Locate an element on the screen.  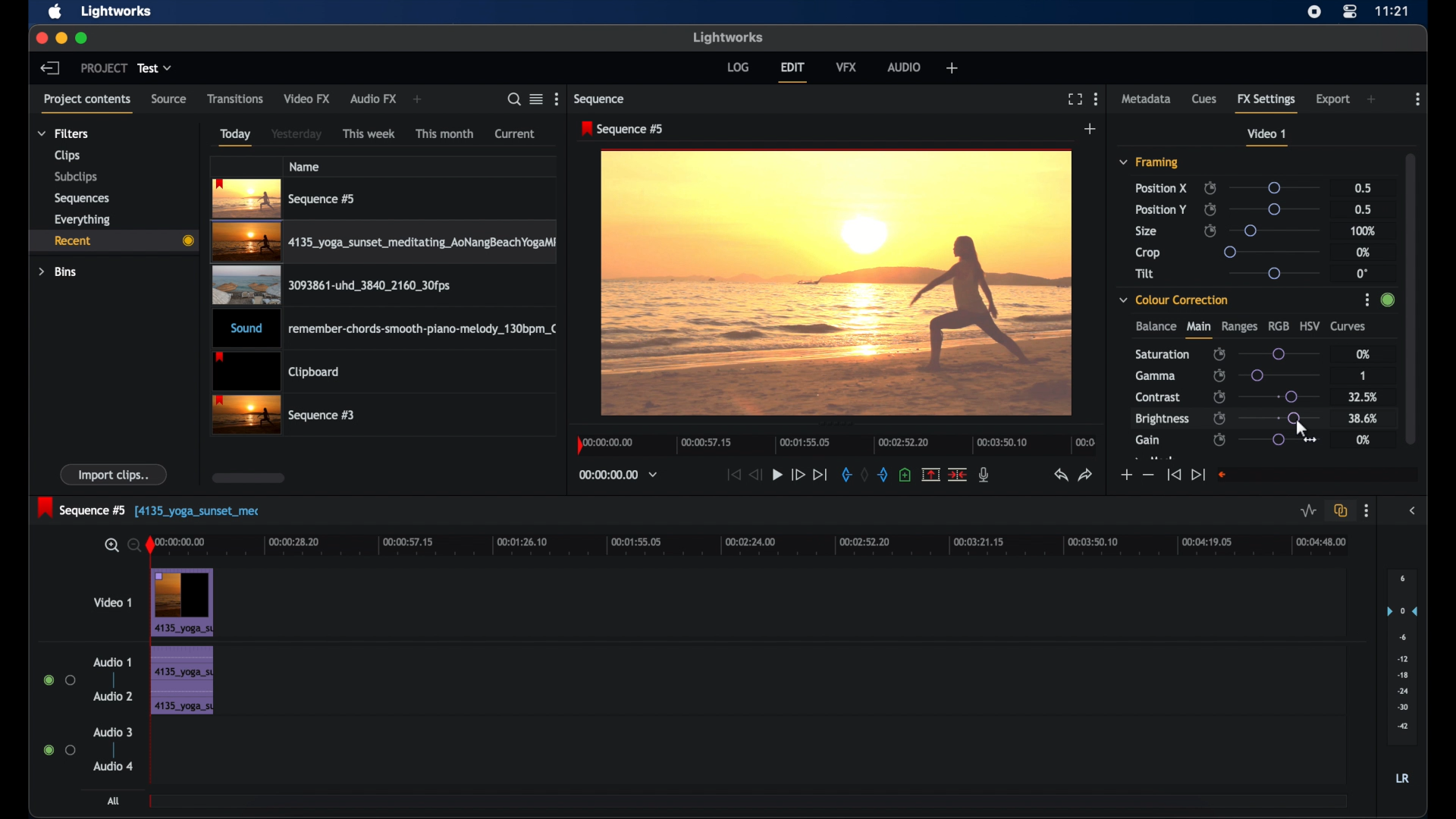
0 is located at coordinates (1362, 274).